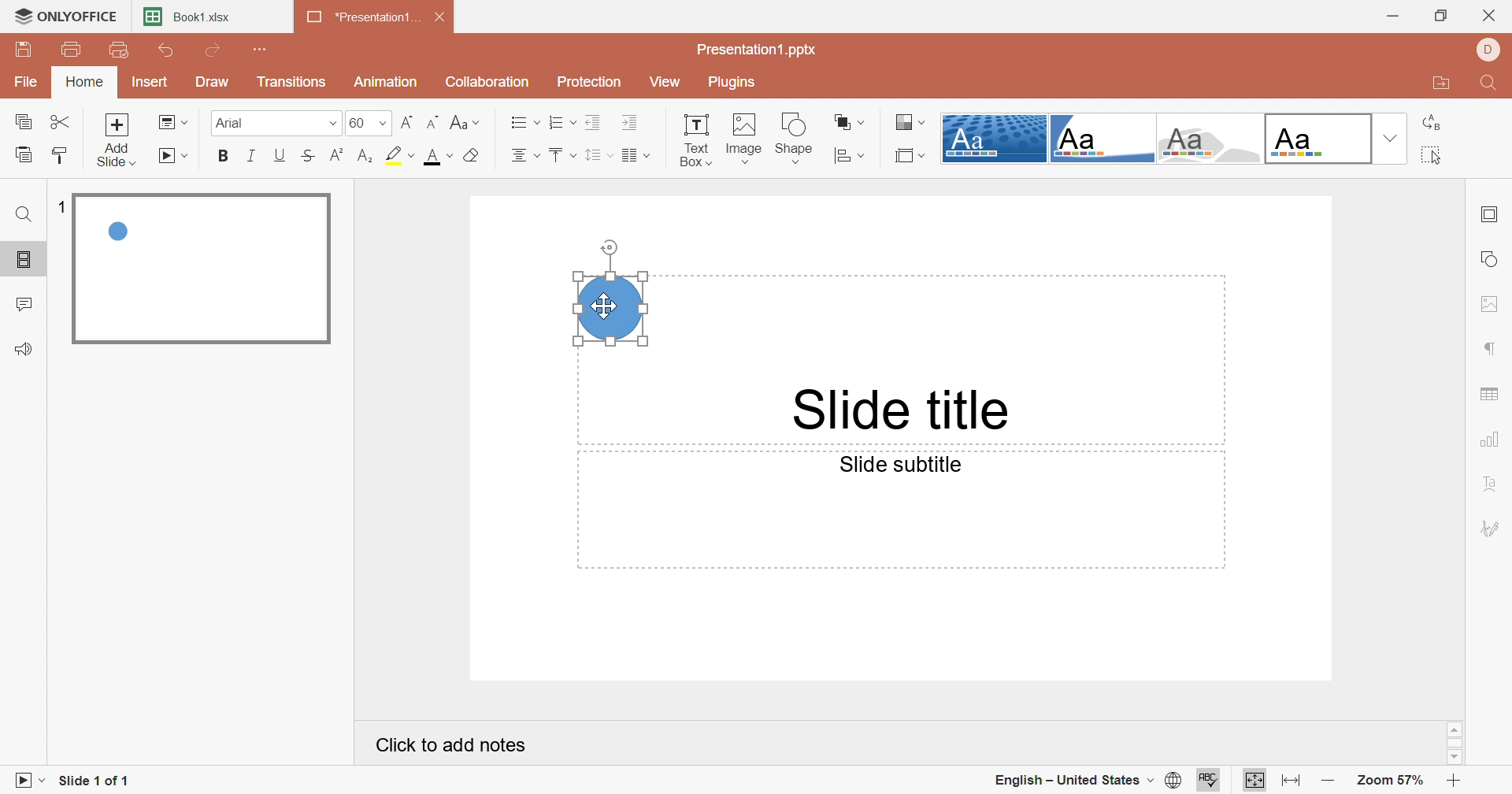 This screenshot has height=794, width=1512. What do you see at coordinates (610, 307) in the screenshot?
I see `Shape` at bounding box center [610, 307].